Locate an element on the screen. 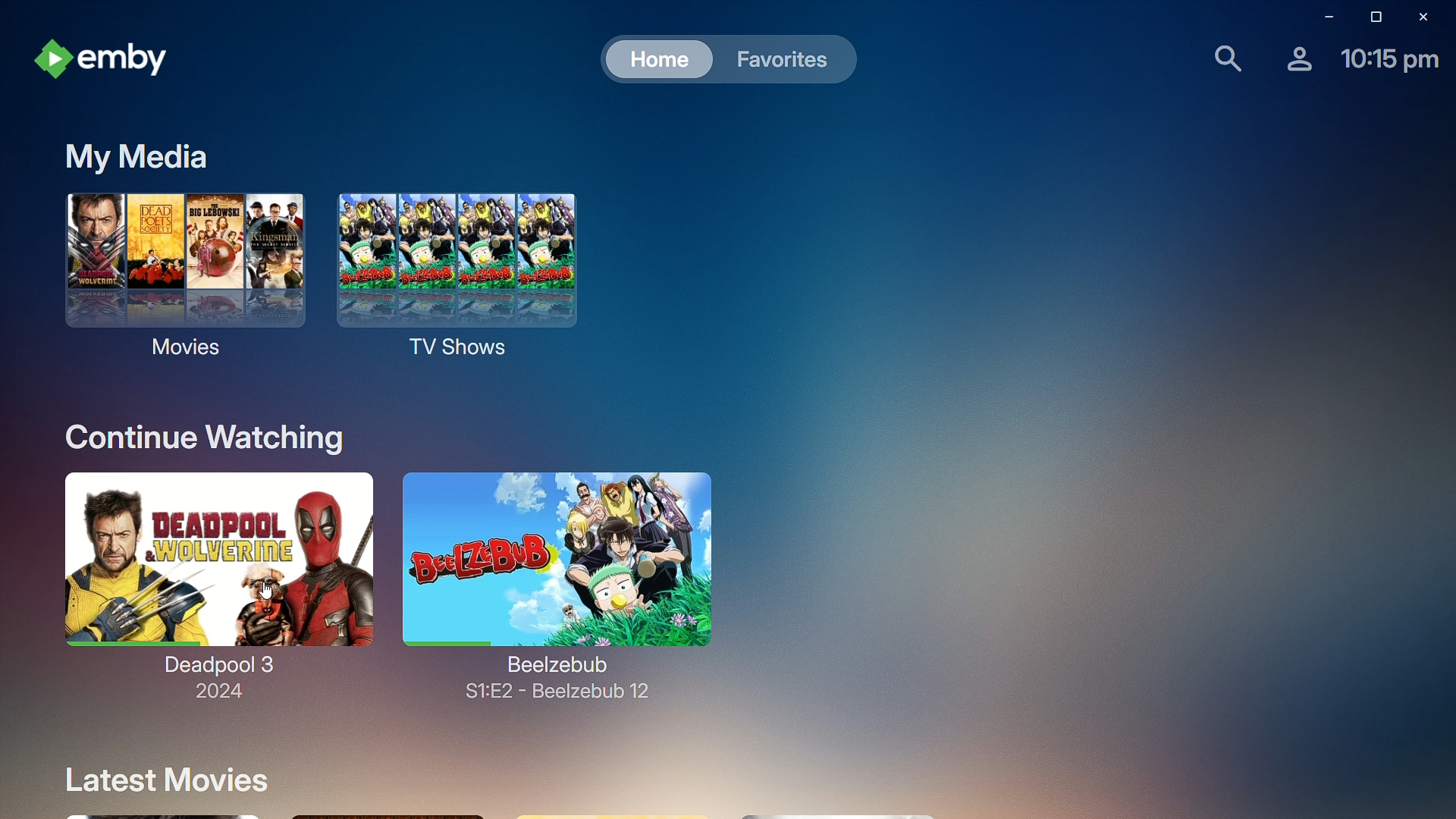 The width and height of the screenshot is (1456, 819). Time is located at coordinates (1394, 65).